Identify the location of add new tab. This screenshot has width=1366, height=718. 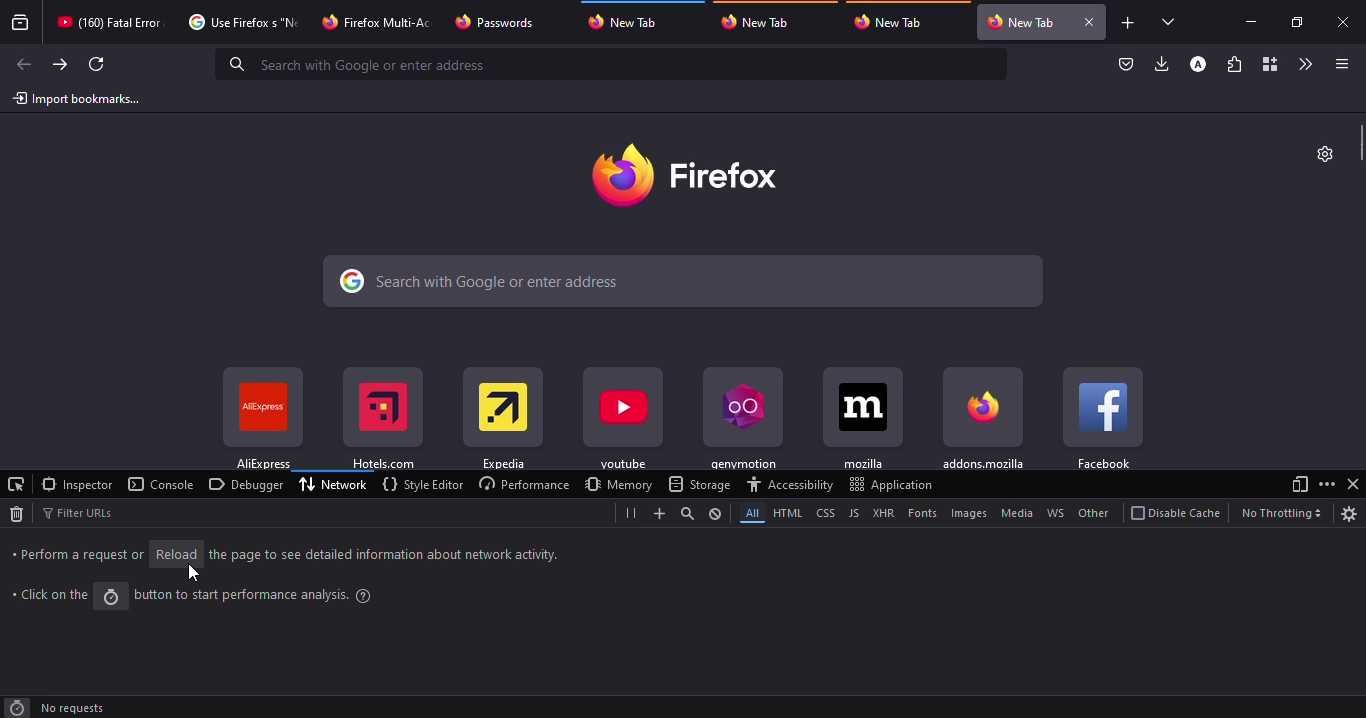
(1128, 23).